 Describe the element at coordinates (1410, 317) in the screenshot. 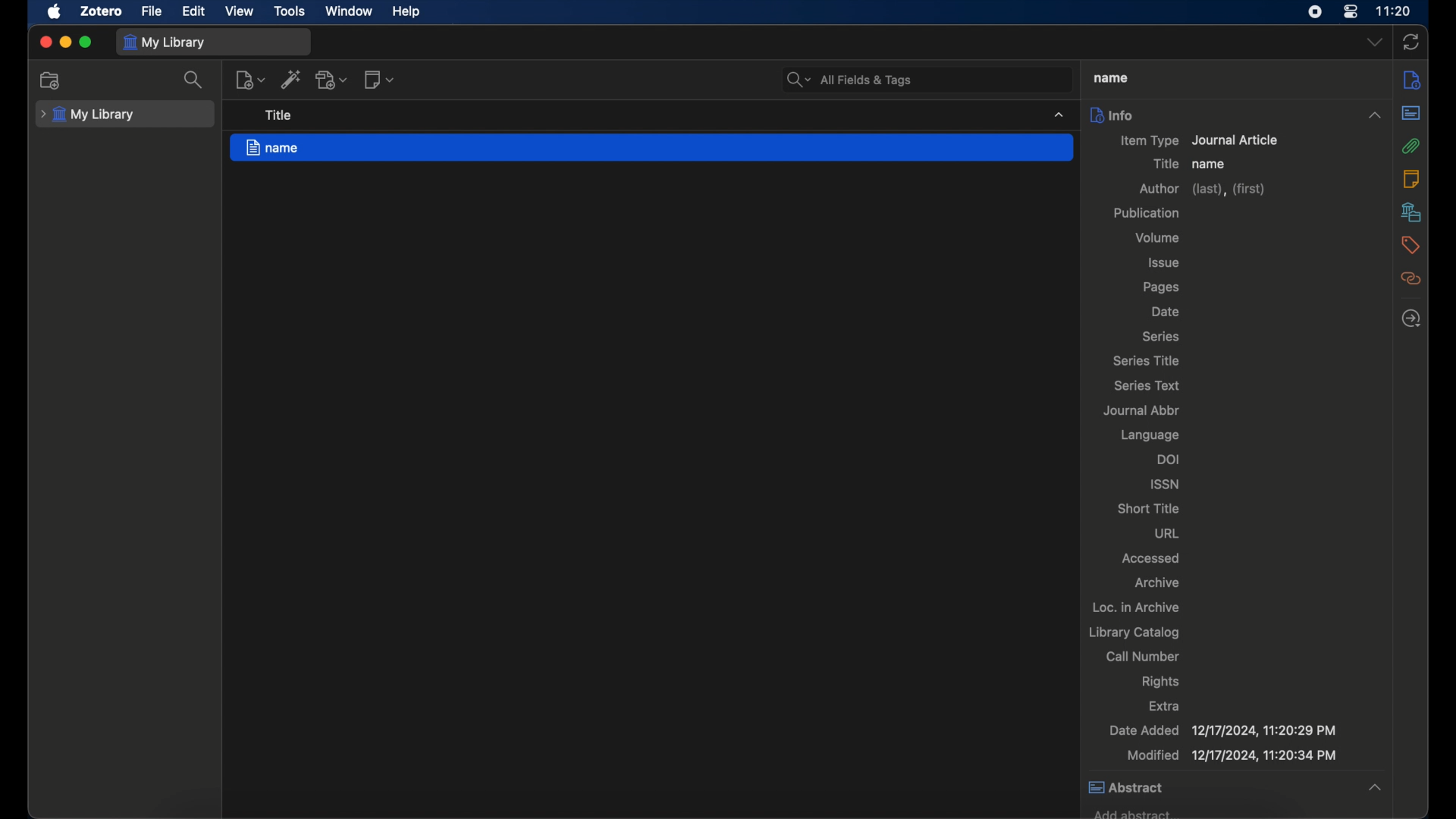

I see `locate` at that location.